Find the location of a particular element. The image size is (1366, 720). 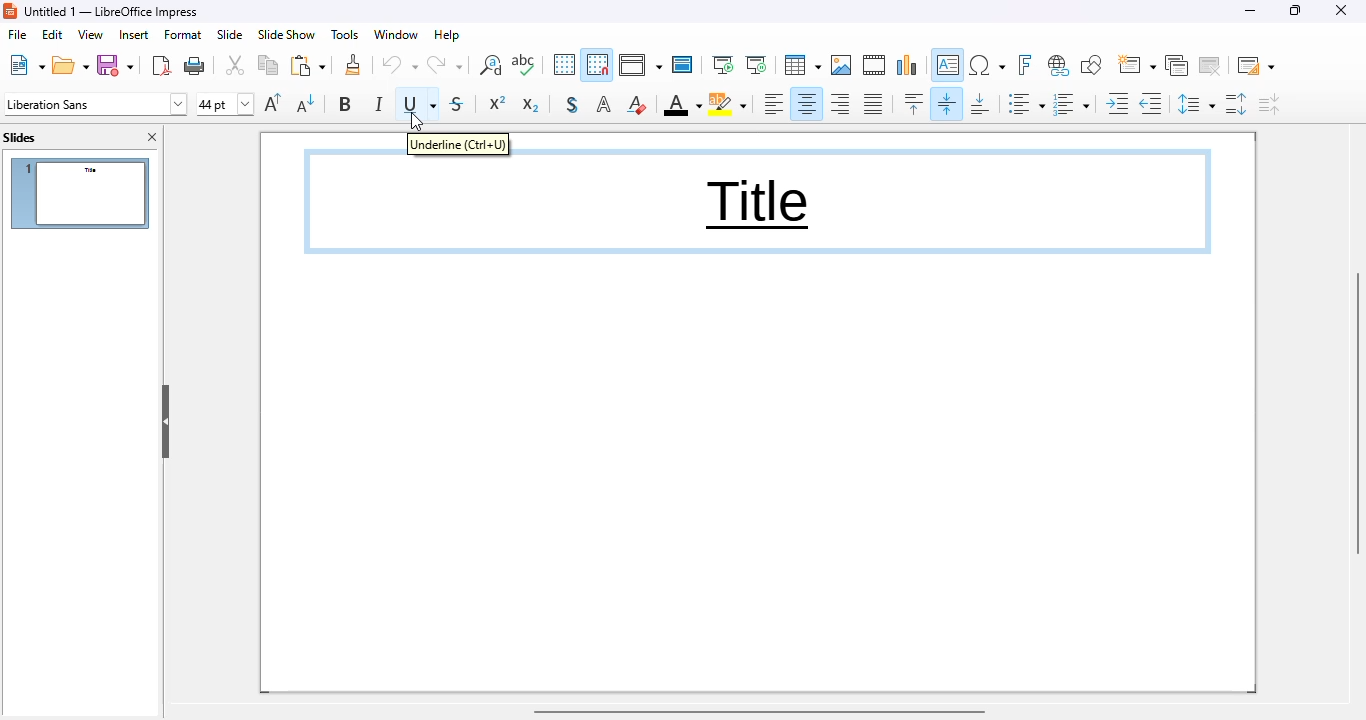

table is located at coordinates (802, 65).